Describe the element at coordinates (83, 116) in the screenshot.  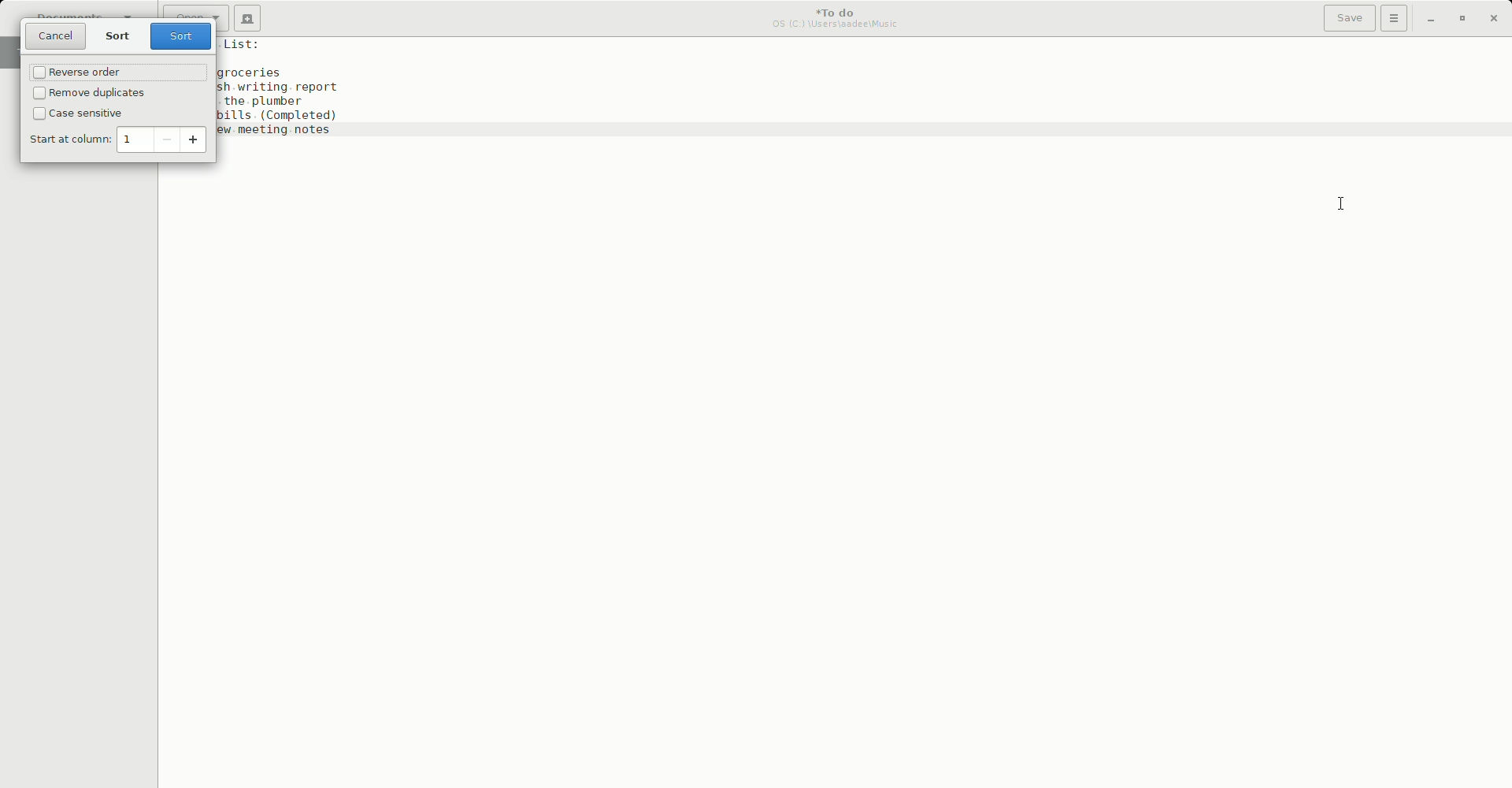
I see `Case sensitive` at that location.